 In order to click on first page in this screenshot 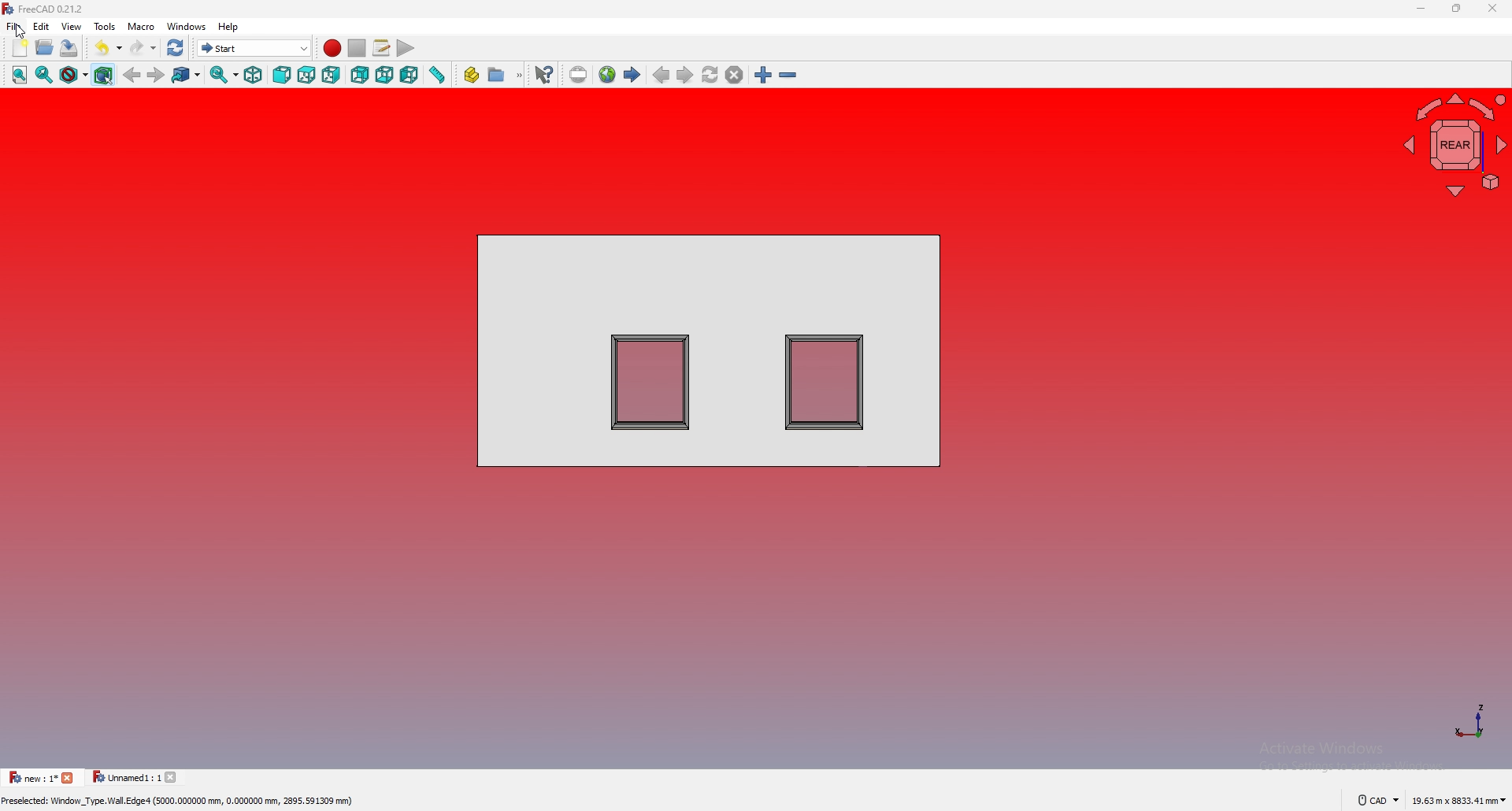, I will do `click(632, 75)`.